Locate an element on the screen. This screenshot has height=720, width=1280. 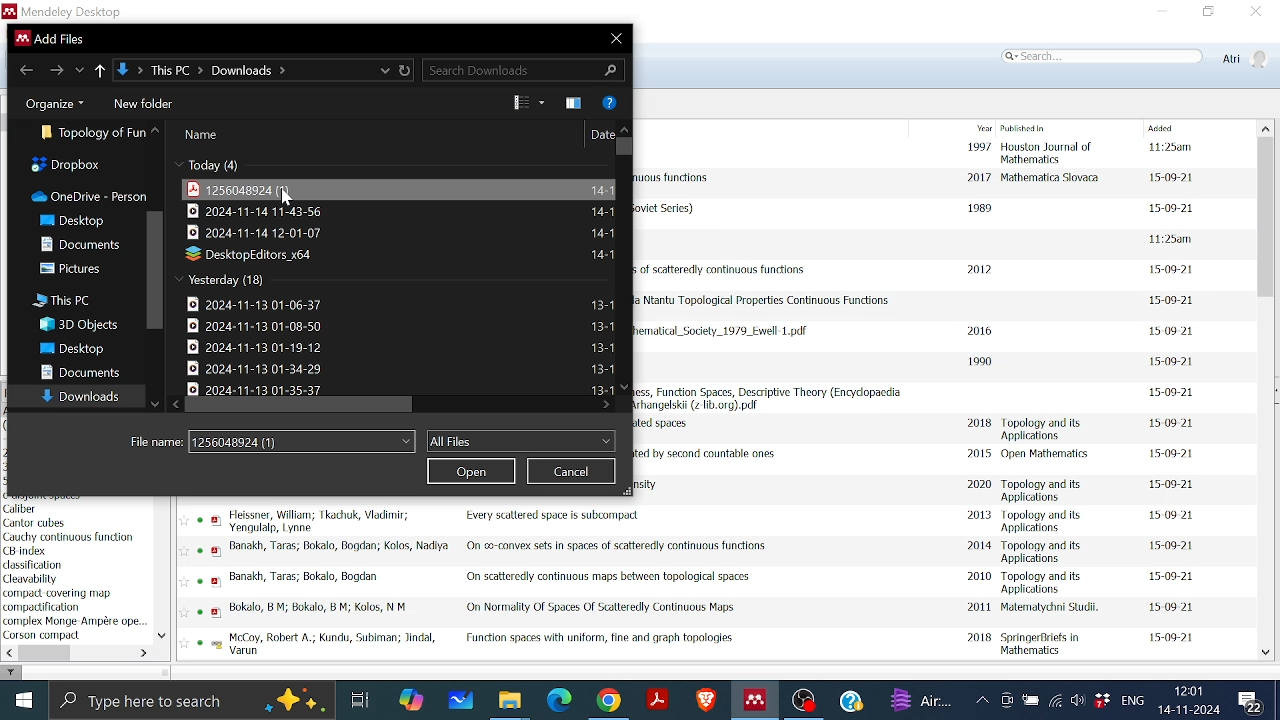
Published in is located at coordinates (1052, 608).